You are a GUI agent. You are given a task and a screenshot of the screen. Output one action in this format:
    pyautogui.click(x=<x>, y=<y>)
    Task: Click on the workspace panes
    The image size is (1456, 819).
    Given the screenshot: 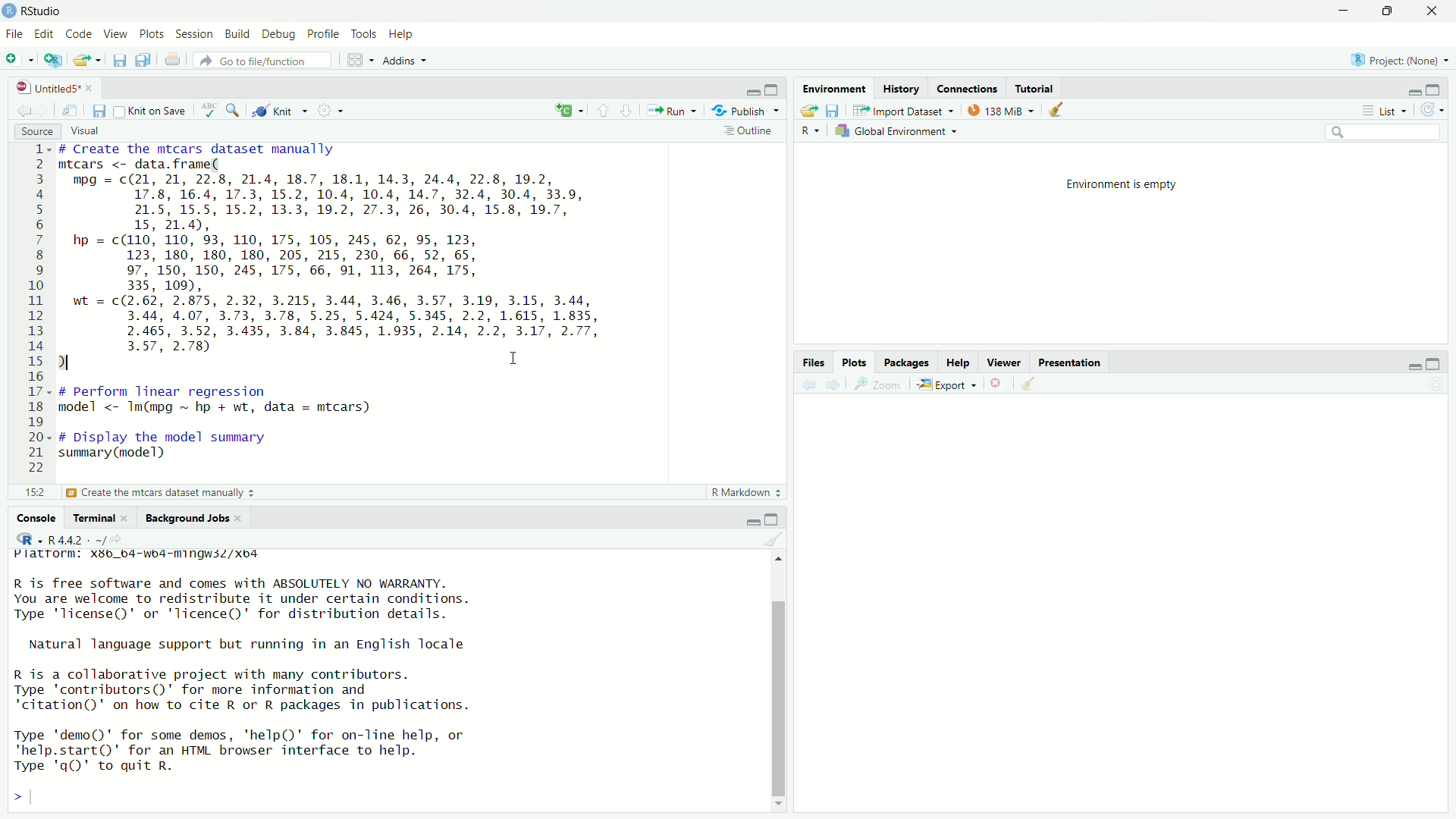 What is the action you would take?
    pyautogui.click(x=356, y=60)
    